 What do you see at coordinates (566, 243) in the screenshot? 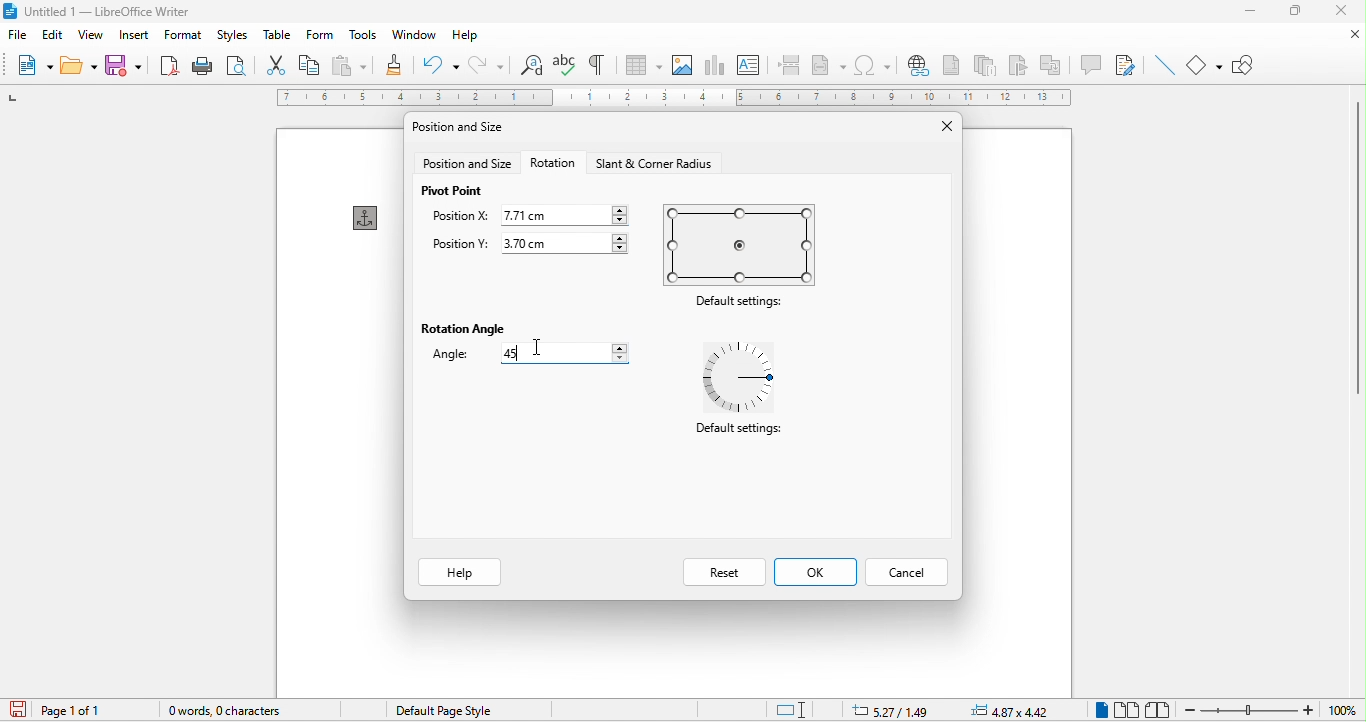
I see `3.70 cm` at bounding box center [566, 243].